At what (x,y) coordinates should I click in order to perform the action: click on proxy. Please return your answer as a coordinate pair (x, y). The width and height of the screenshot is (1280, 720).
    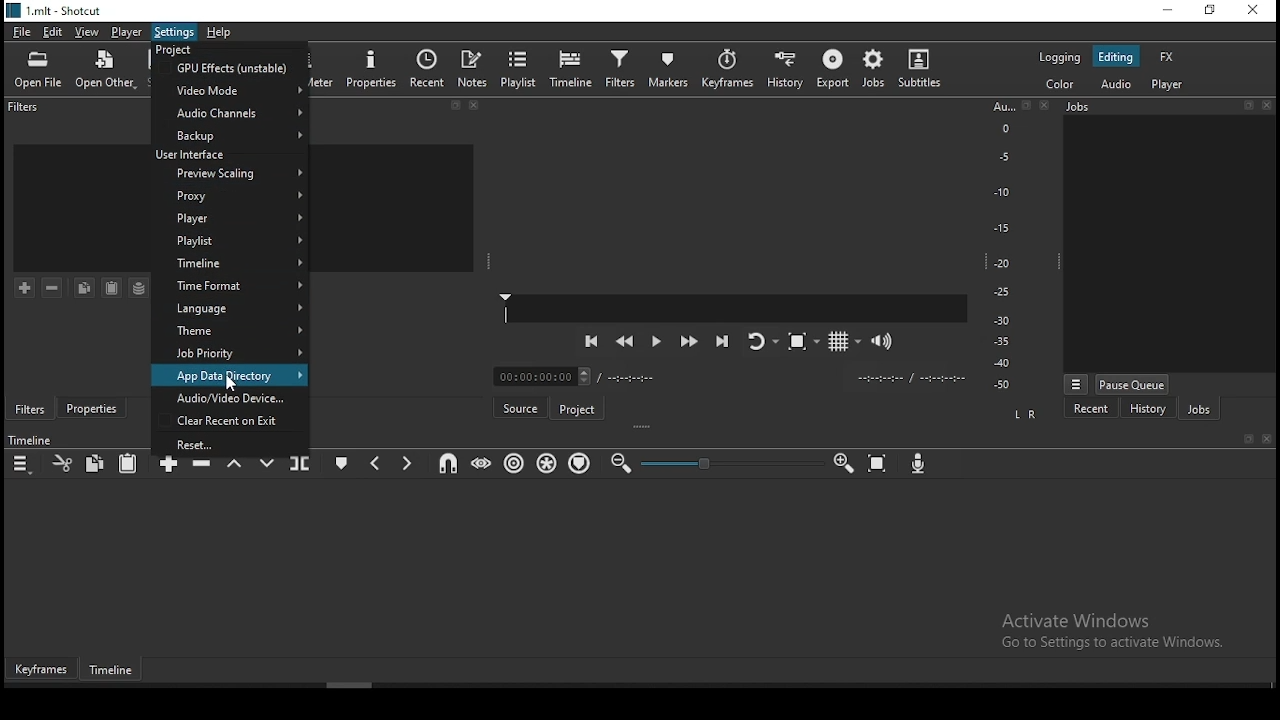
    Looking at the image, I should click on (230, 196).